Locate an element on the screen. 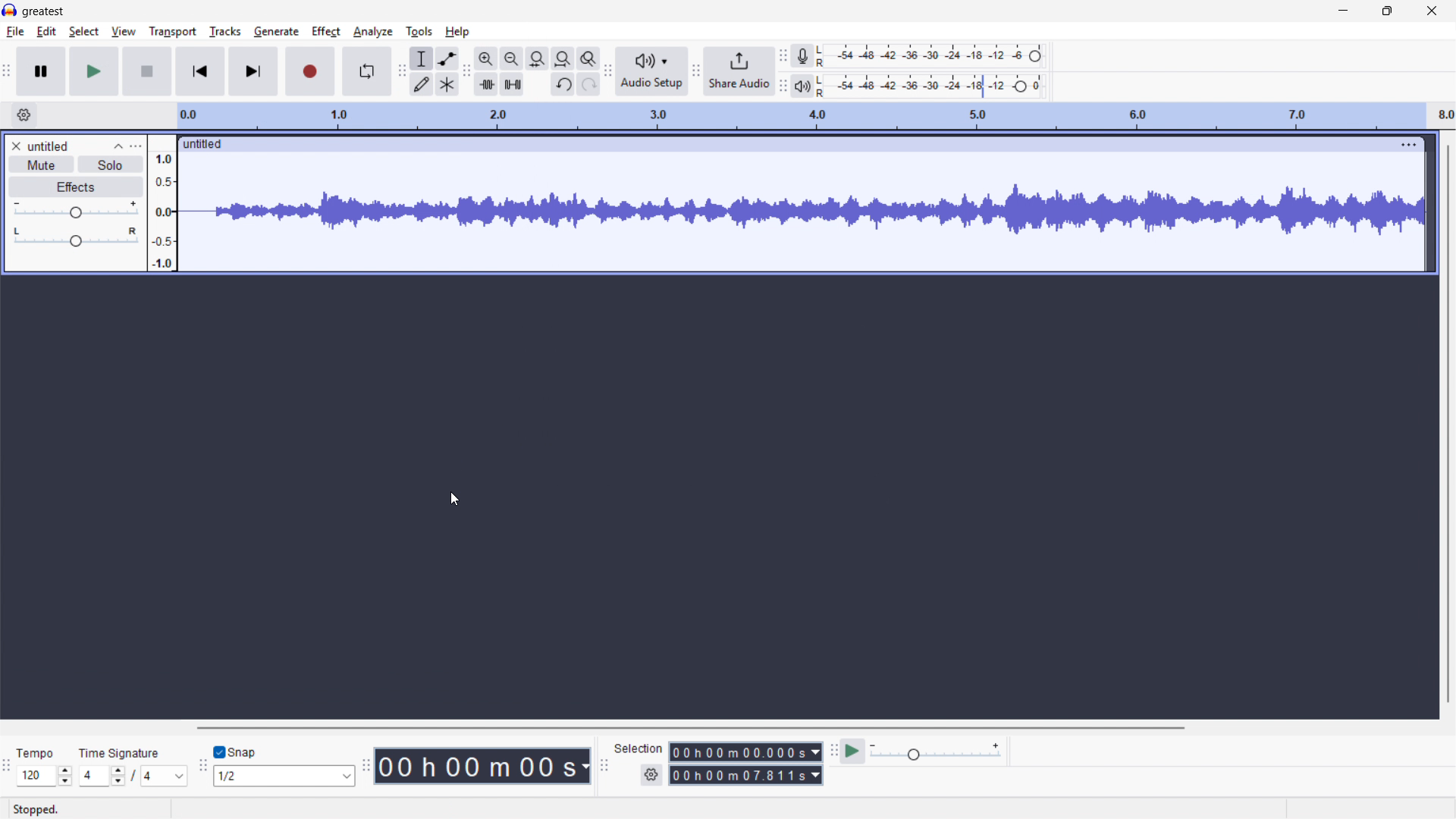  tools is located at coordinates (419, 31).